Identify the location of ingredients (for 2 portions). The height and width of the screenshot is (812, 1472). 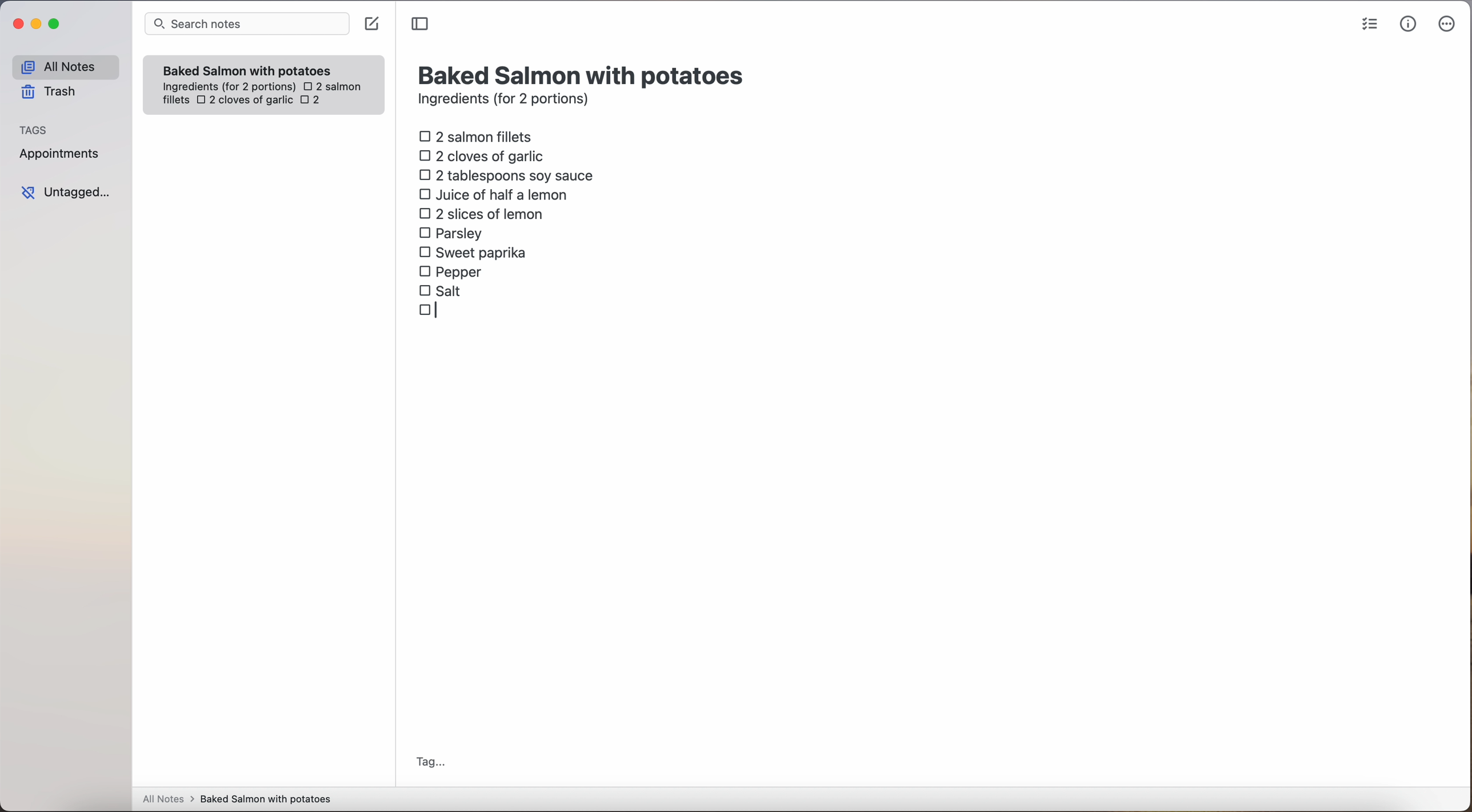
(507, 101).